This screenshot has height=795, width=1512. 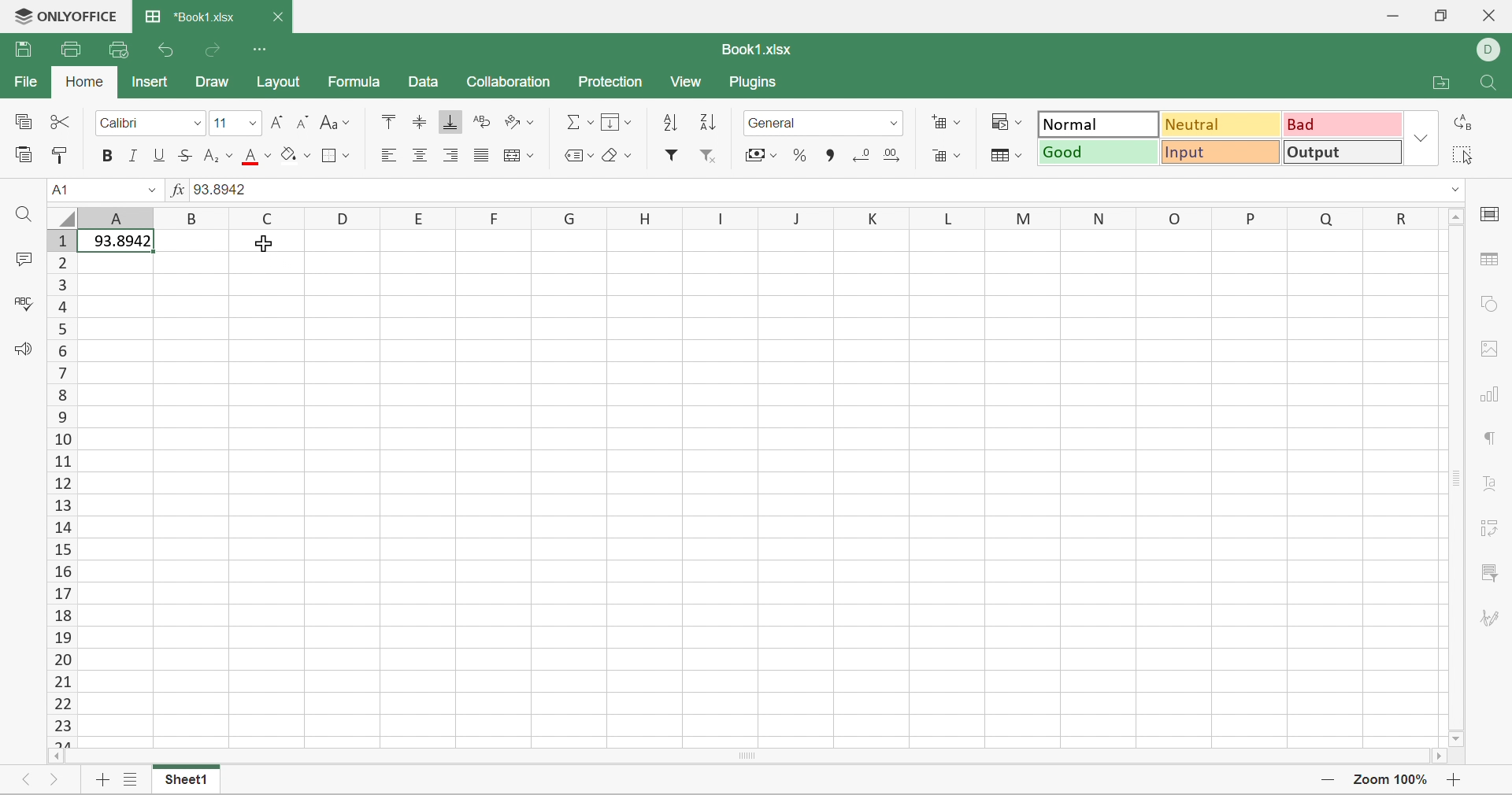 I want to click on Increment font size, so click(x=279, y=120).